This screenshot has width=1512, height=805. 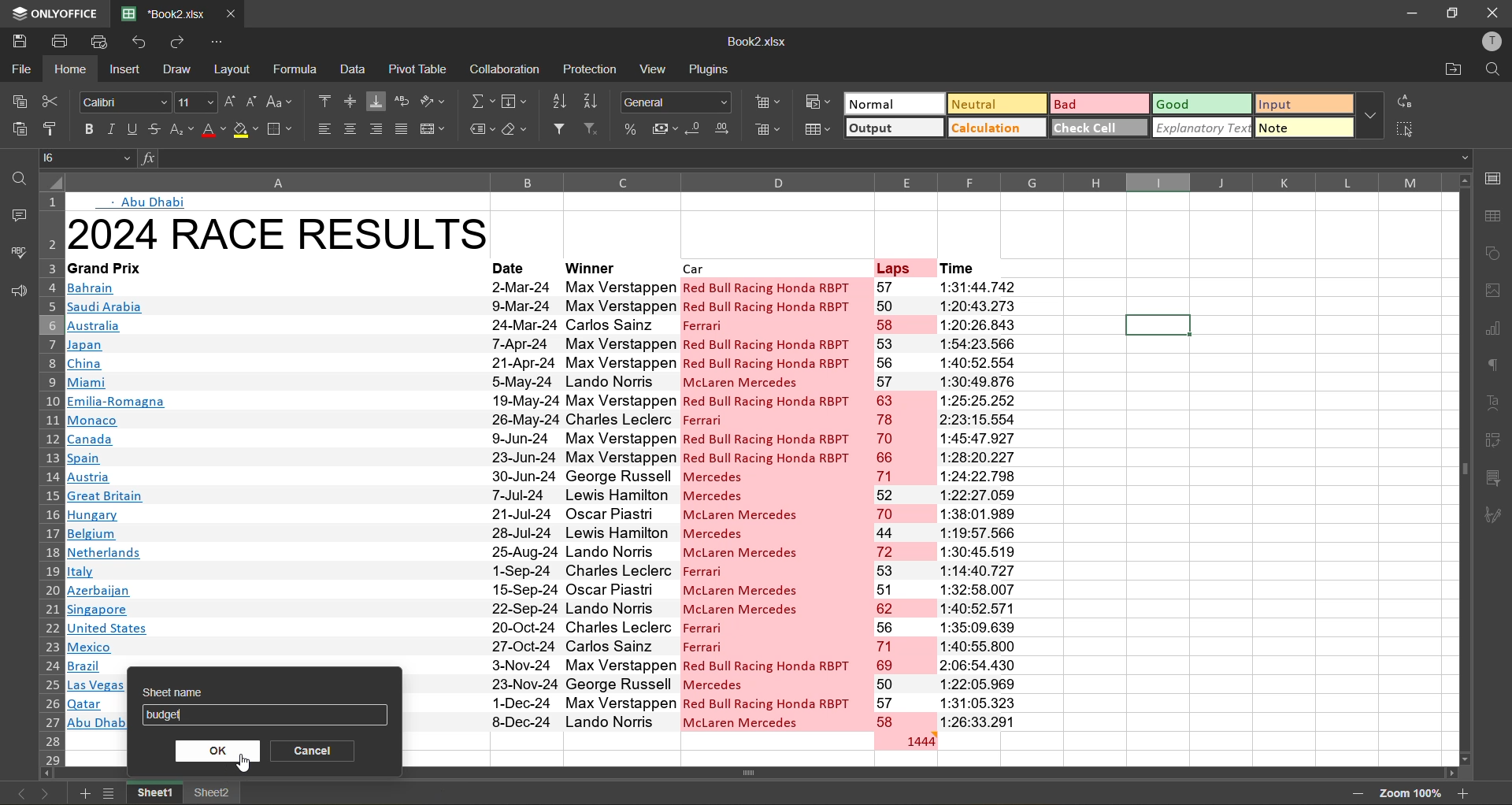 What do you see at coordinates (235, 69) in the screenshot?
I see `layout` at bounding box center [235, 69].